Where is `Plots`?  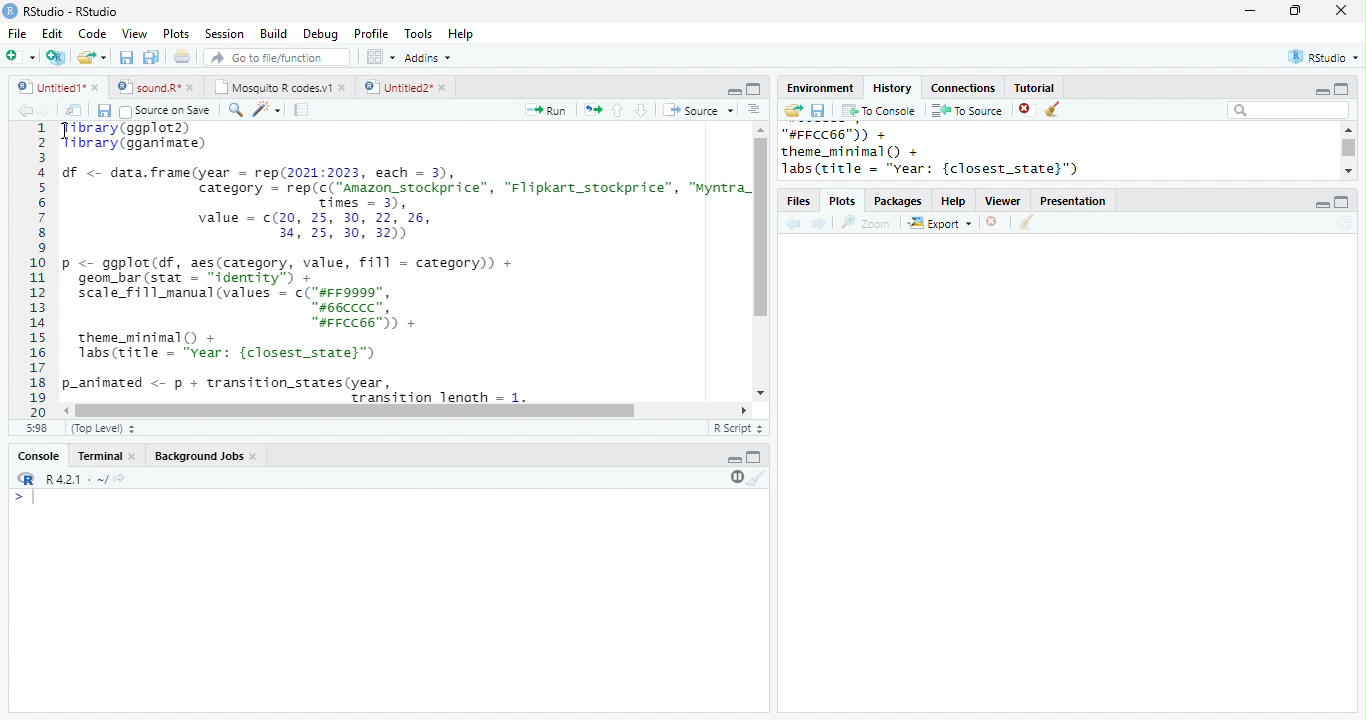
Plots is located at coordinates (842, 201).